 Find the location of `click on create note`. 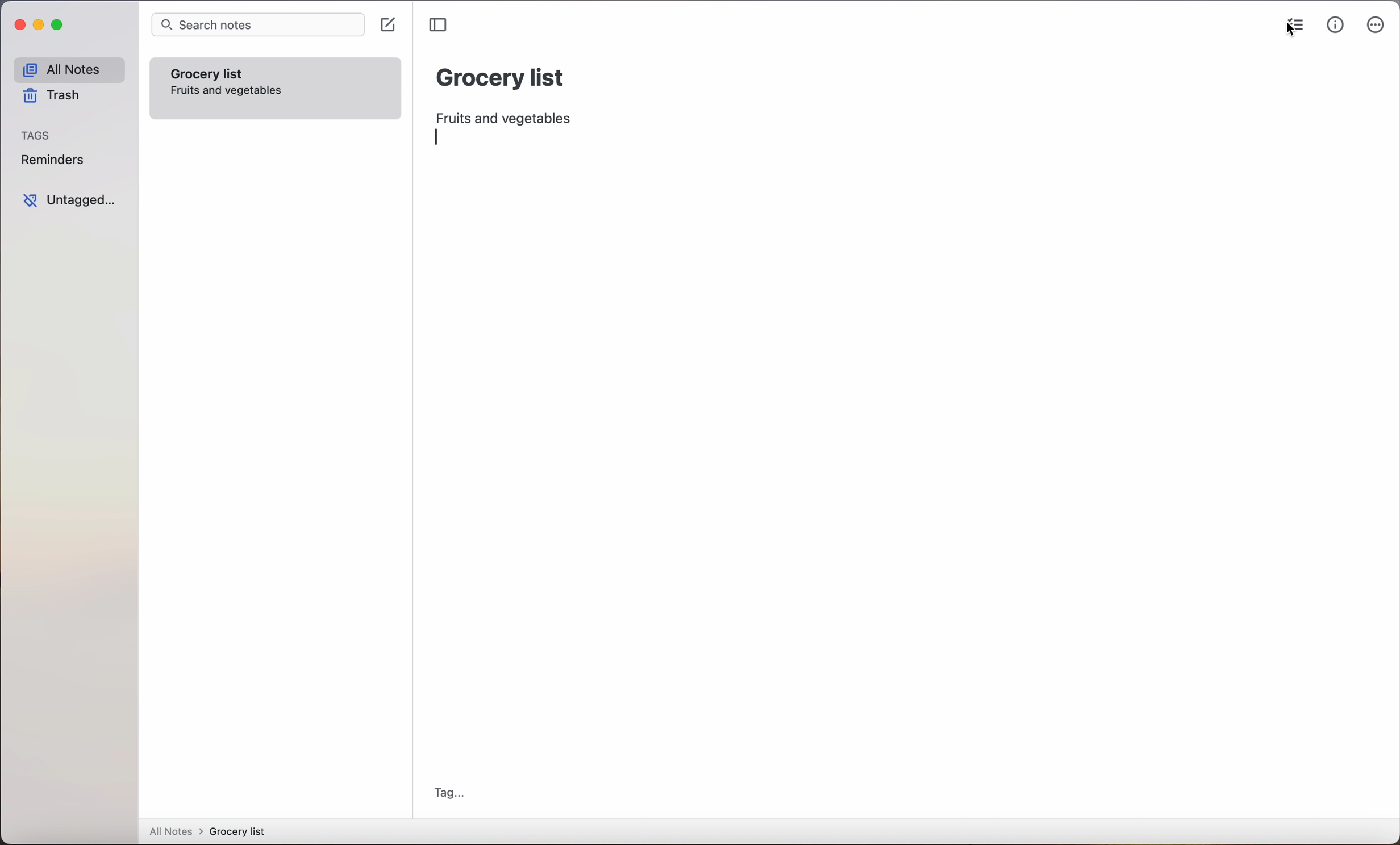

click on create note is located at coordinates (390, 26).